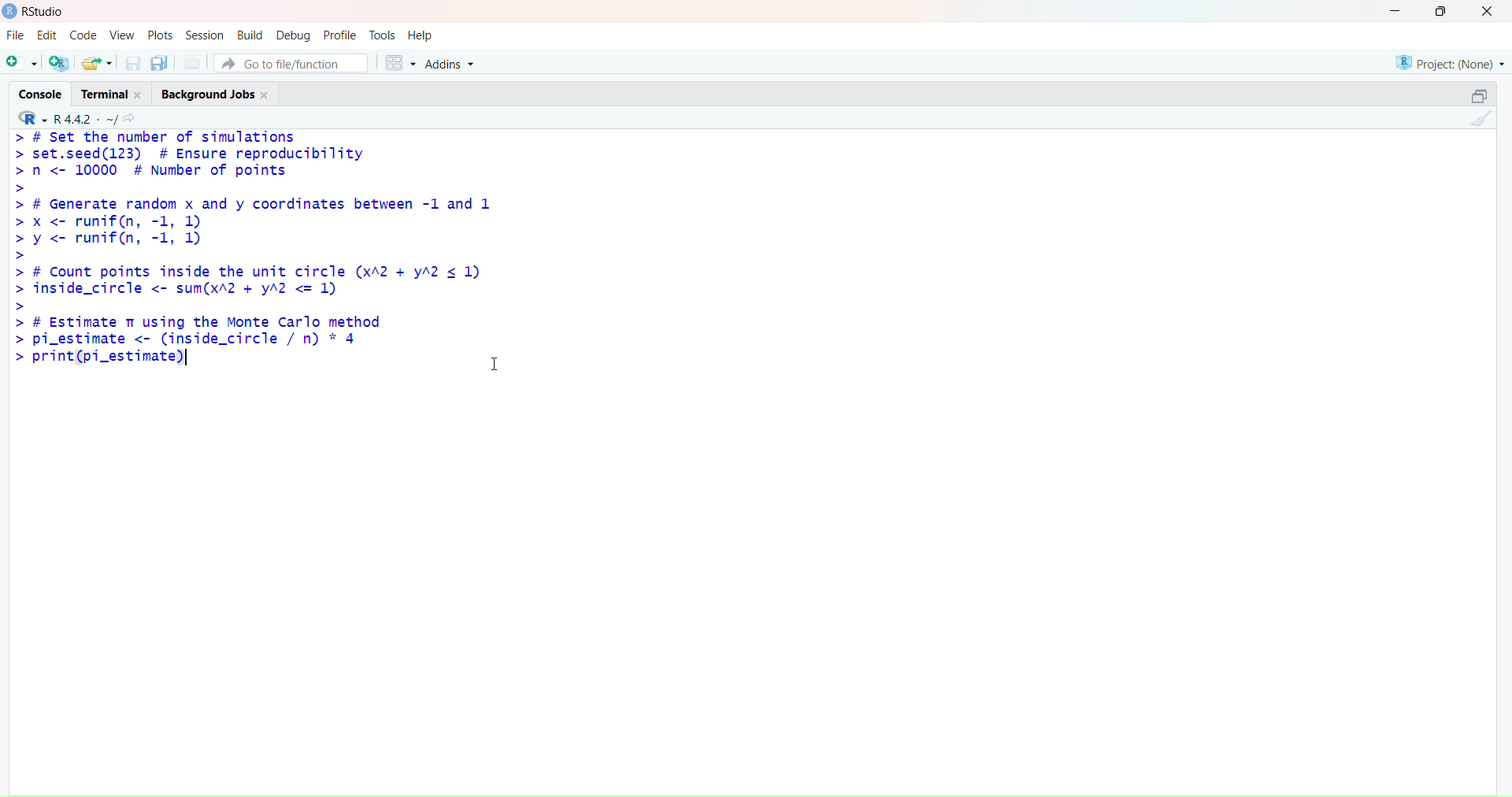 Image resolution: width=1512 pixels, height=797 pixels. Describe the element at coordinates (402, 63) in the screenshot. I see `Workspace panes` at that location.